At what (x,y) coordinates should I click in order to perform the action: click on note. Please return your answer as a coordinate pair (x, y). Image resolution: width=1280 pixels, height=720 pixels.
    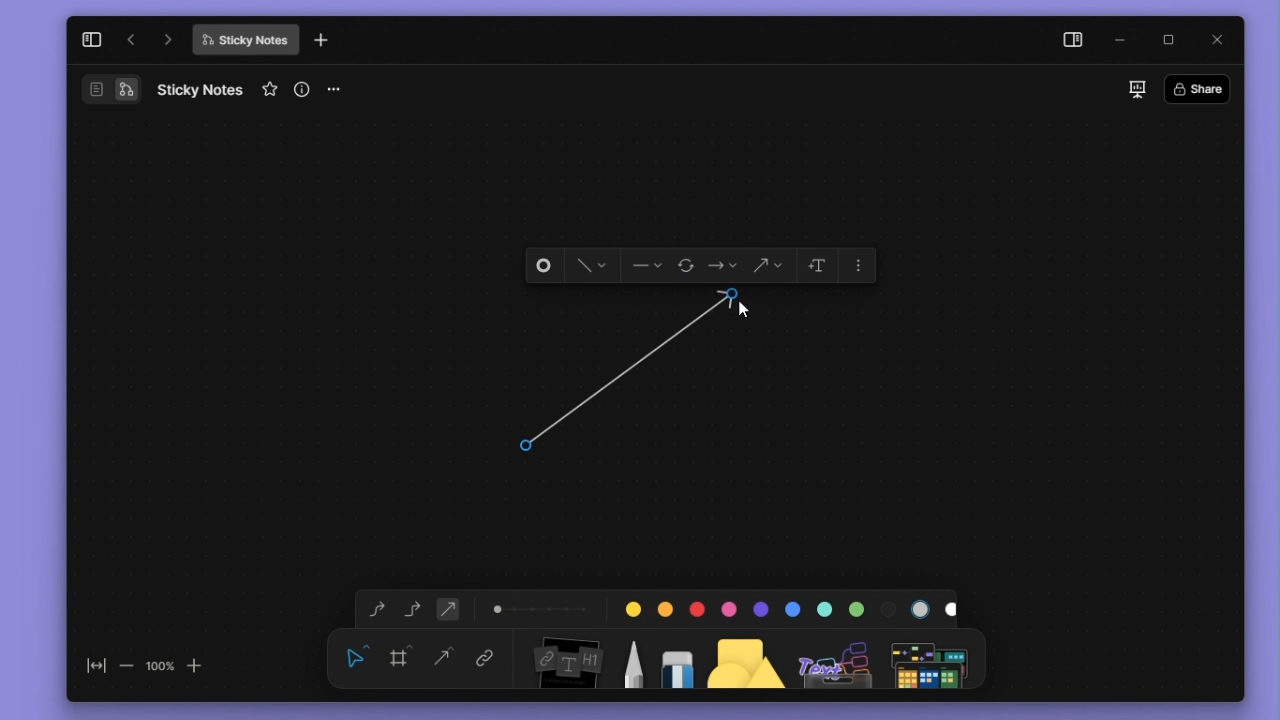
    Looking at the image, I should click on (565, 659).